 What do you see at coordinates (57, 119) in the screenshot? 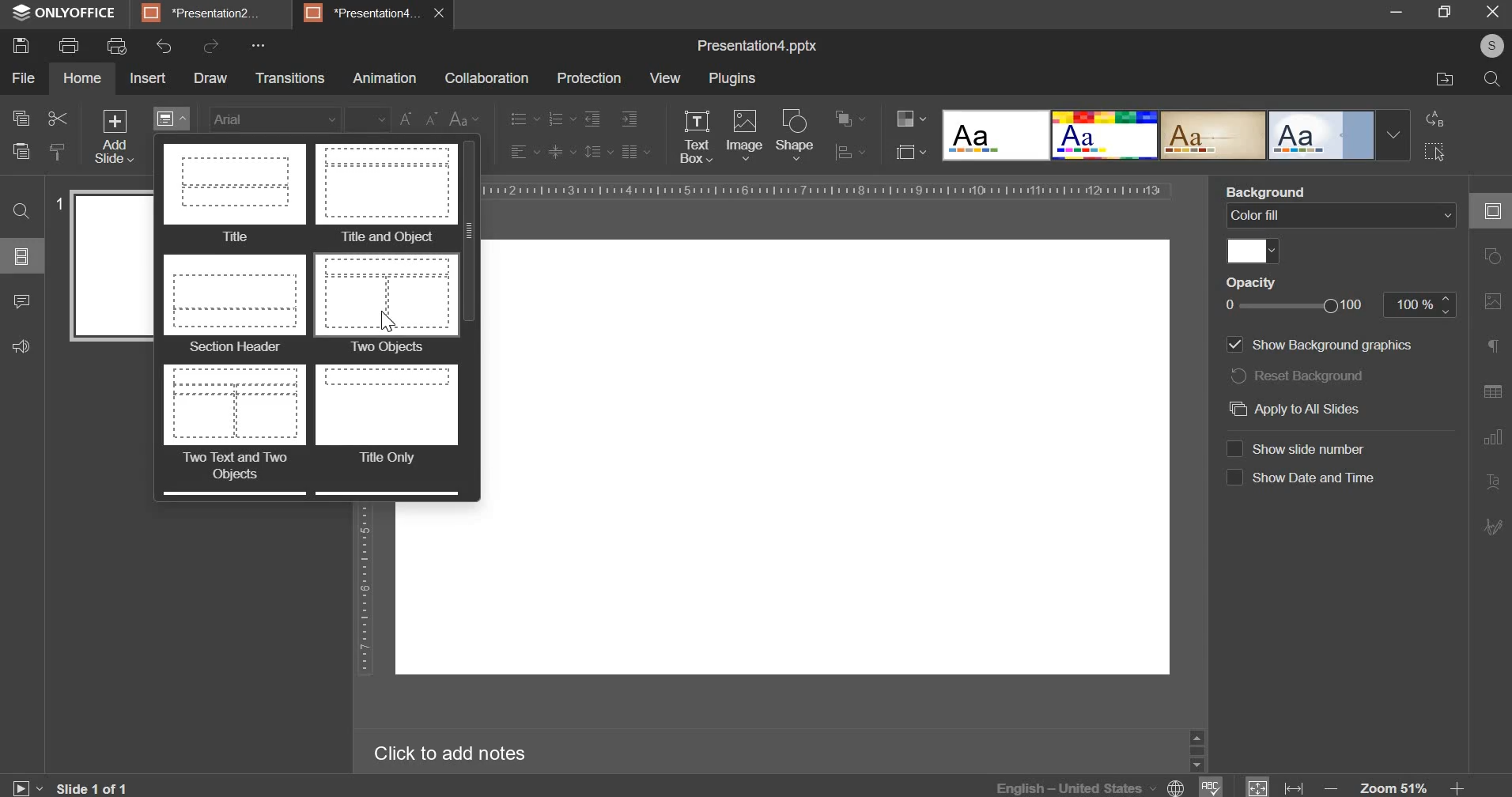
I see `cut` at bounding box center [57, 119].